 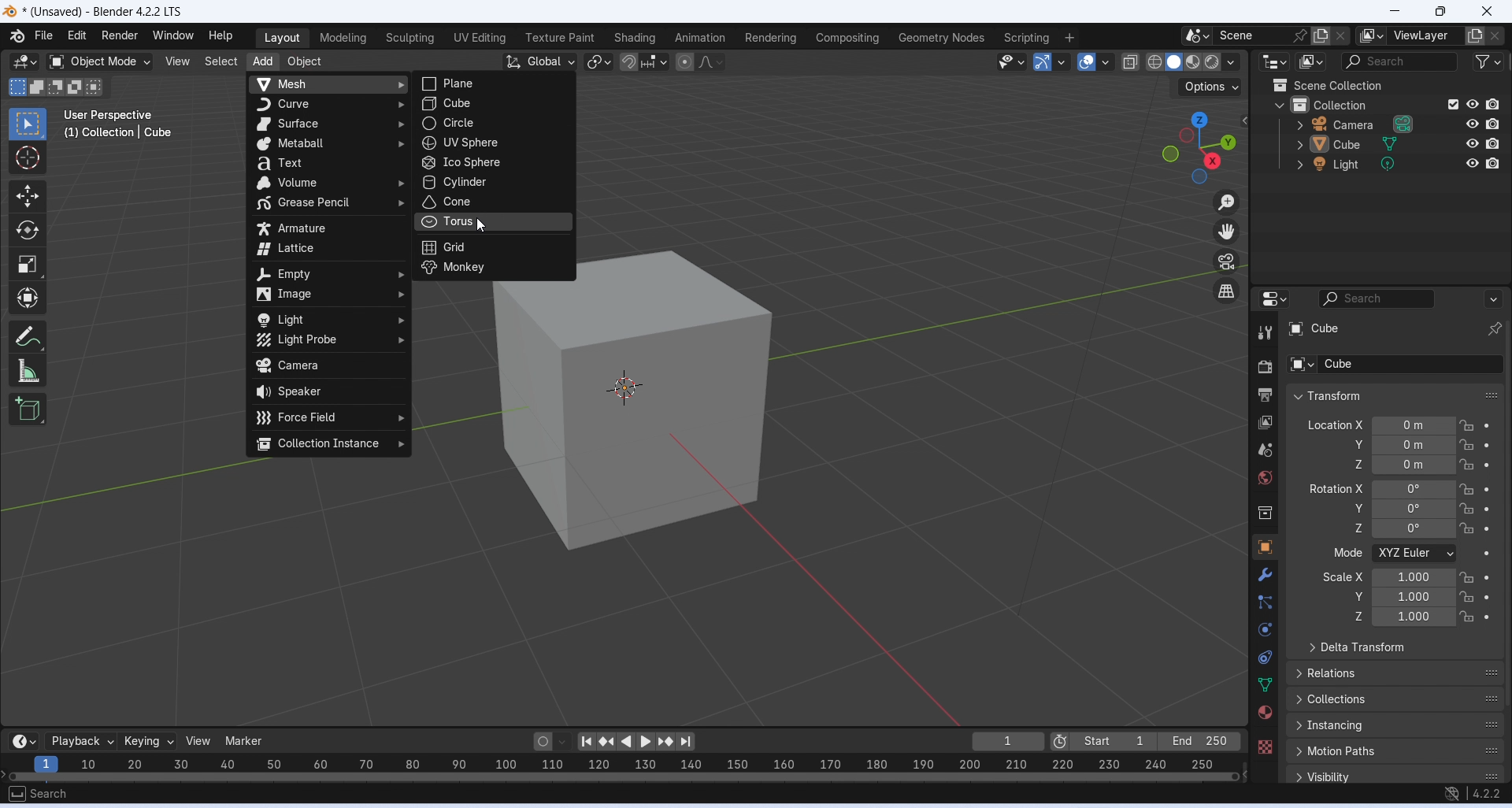 What do you see at coordinates (699, 38) in the screenshot?
I see `Animation` at bounding box center [699, 38].